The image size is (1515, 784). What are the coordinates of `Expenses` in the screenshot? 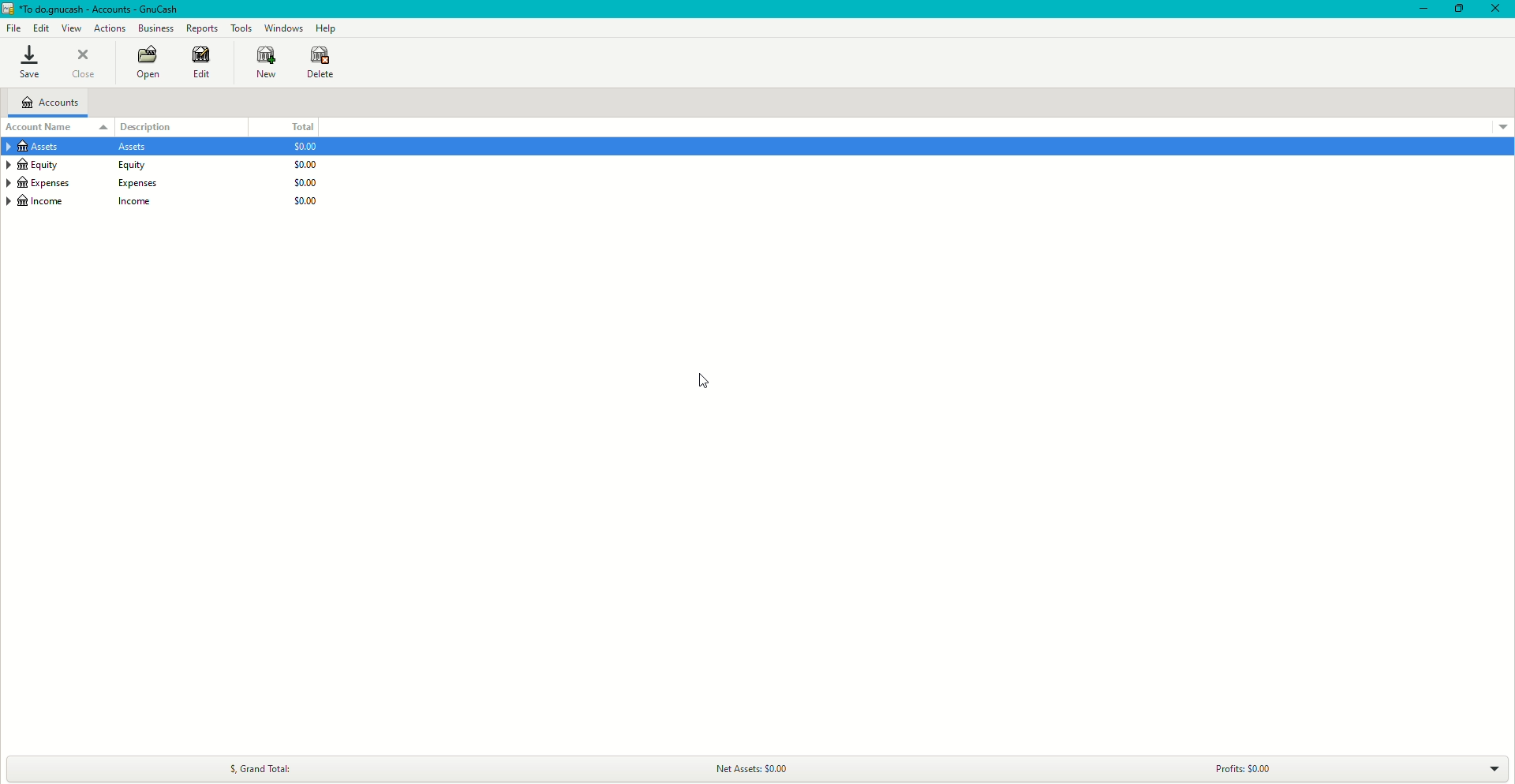 It's located at (84, 183).